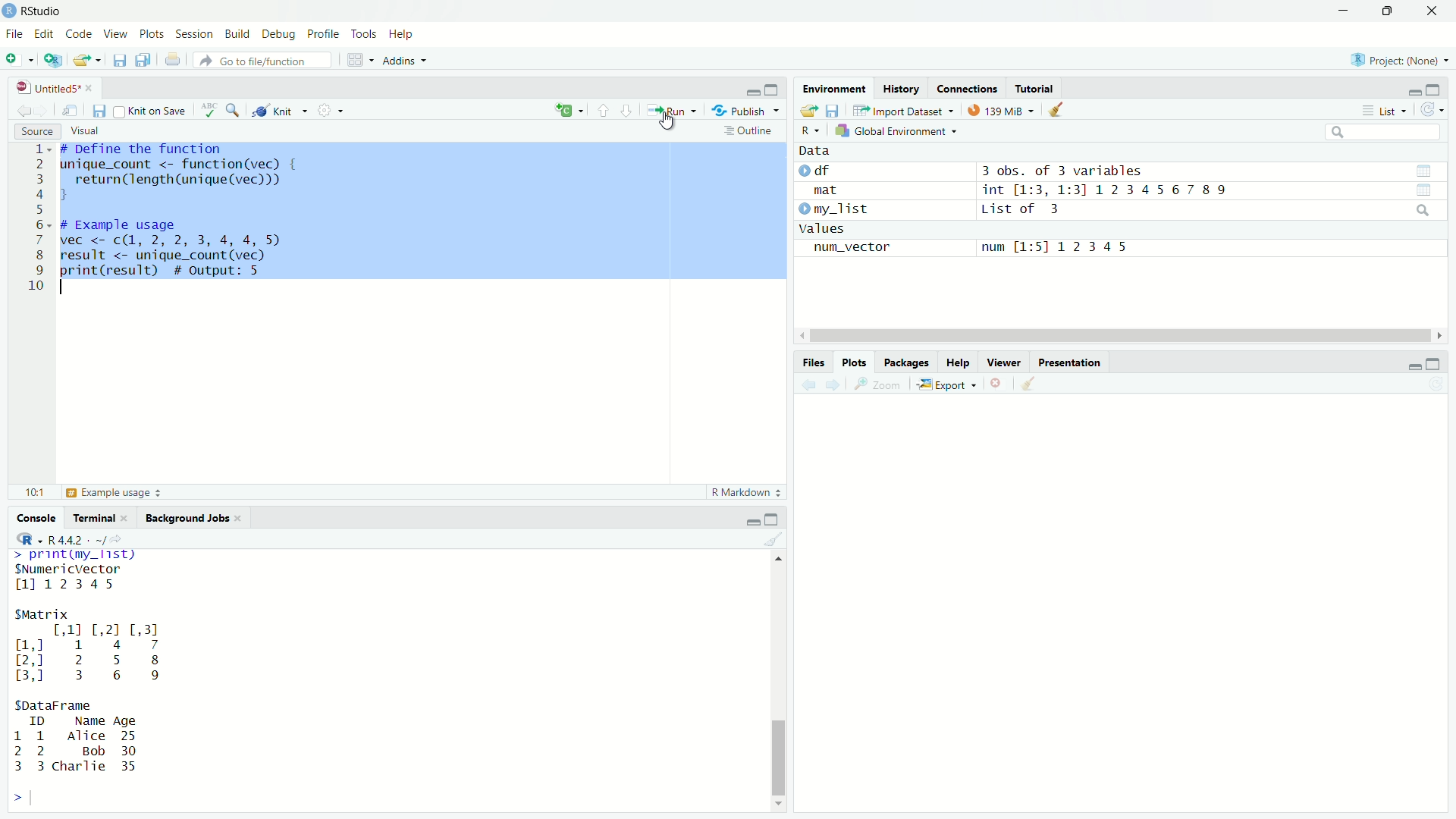  Describe the element at coordinates (626, 111) in the screenshot. I see `next section` at that location.